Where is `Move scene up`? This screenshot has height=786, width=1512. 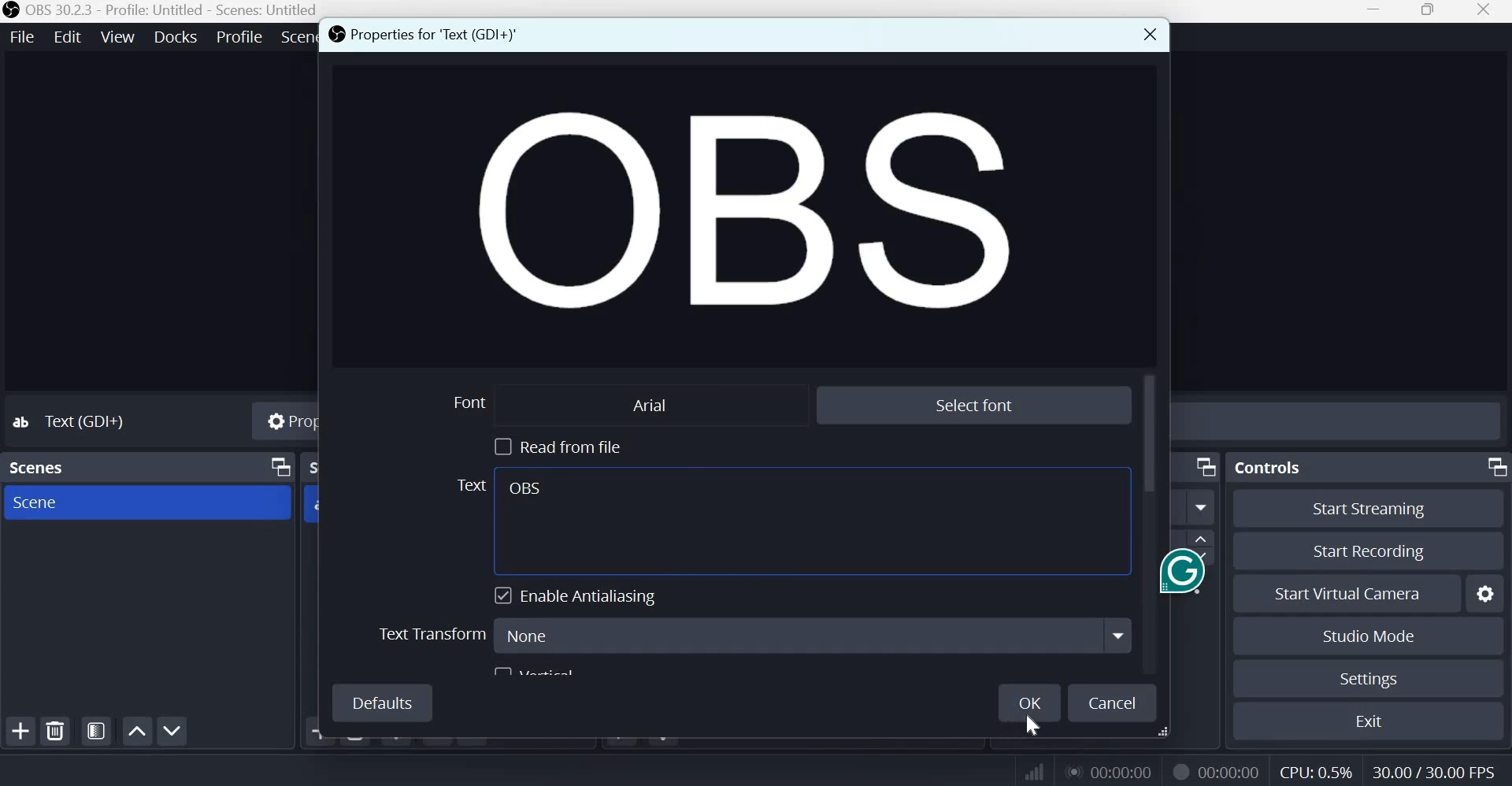
Move scene up is located at coordinates (136, 731).